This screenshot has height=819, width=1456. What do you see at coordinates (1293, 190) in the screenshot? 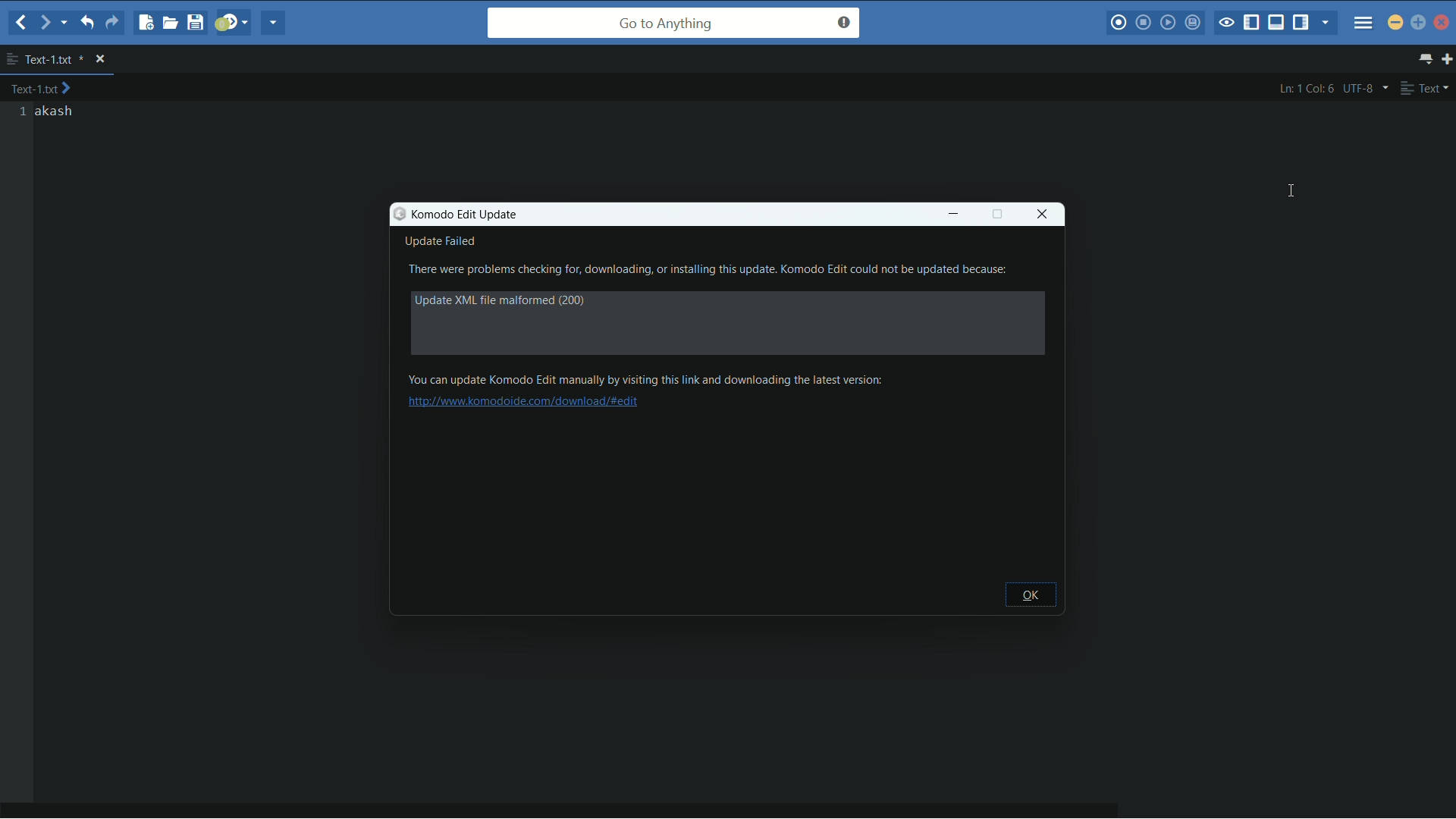
I see `cursor` at bounding box center [1293, 190].